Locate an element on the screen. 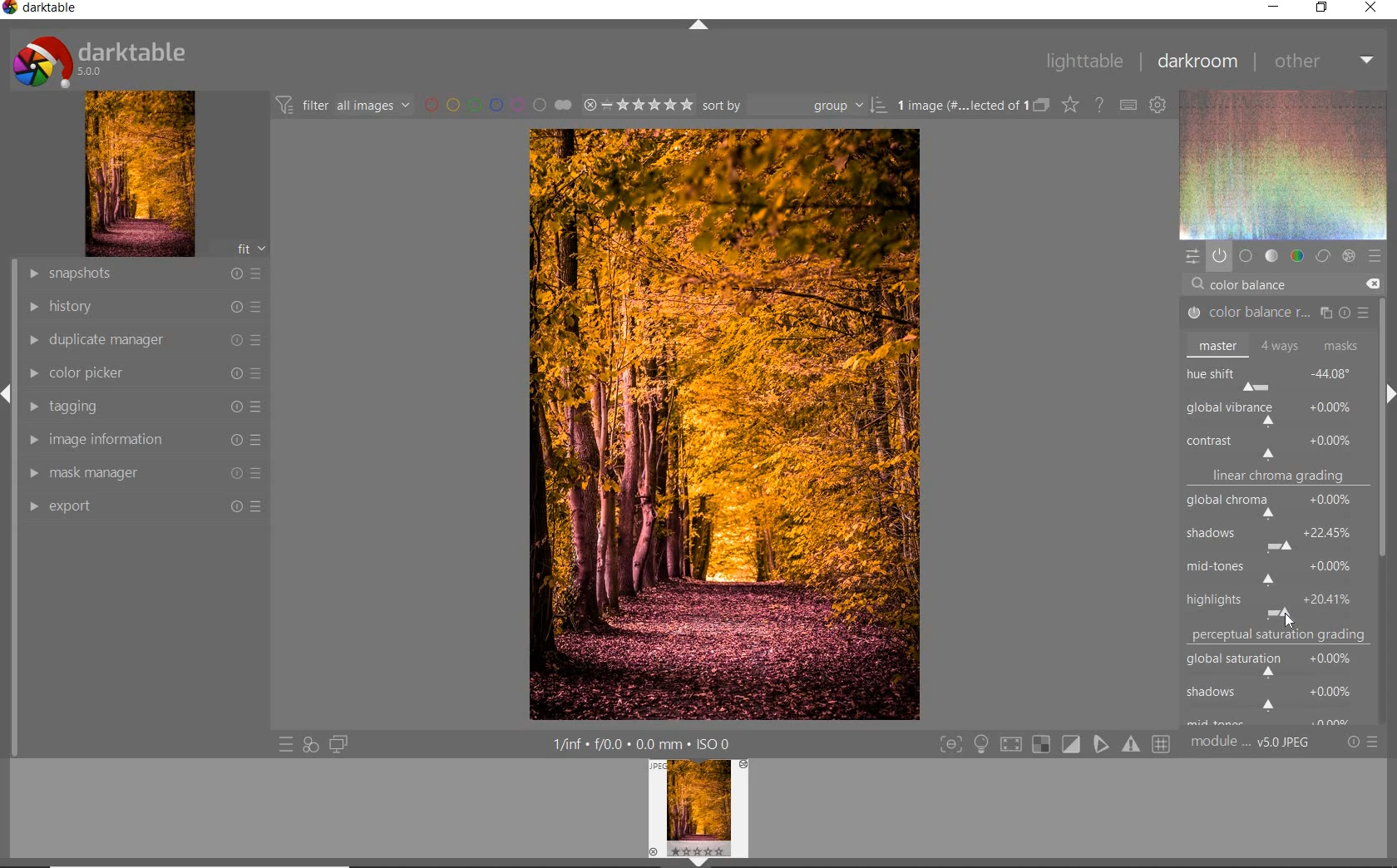  minimize is located at coordinates (1275, 6).